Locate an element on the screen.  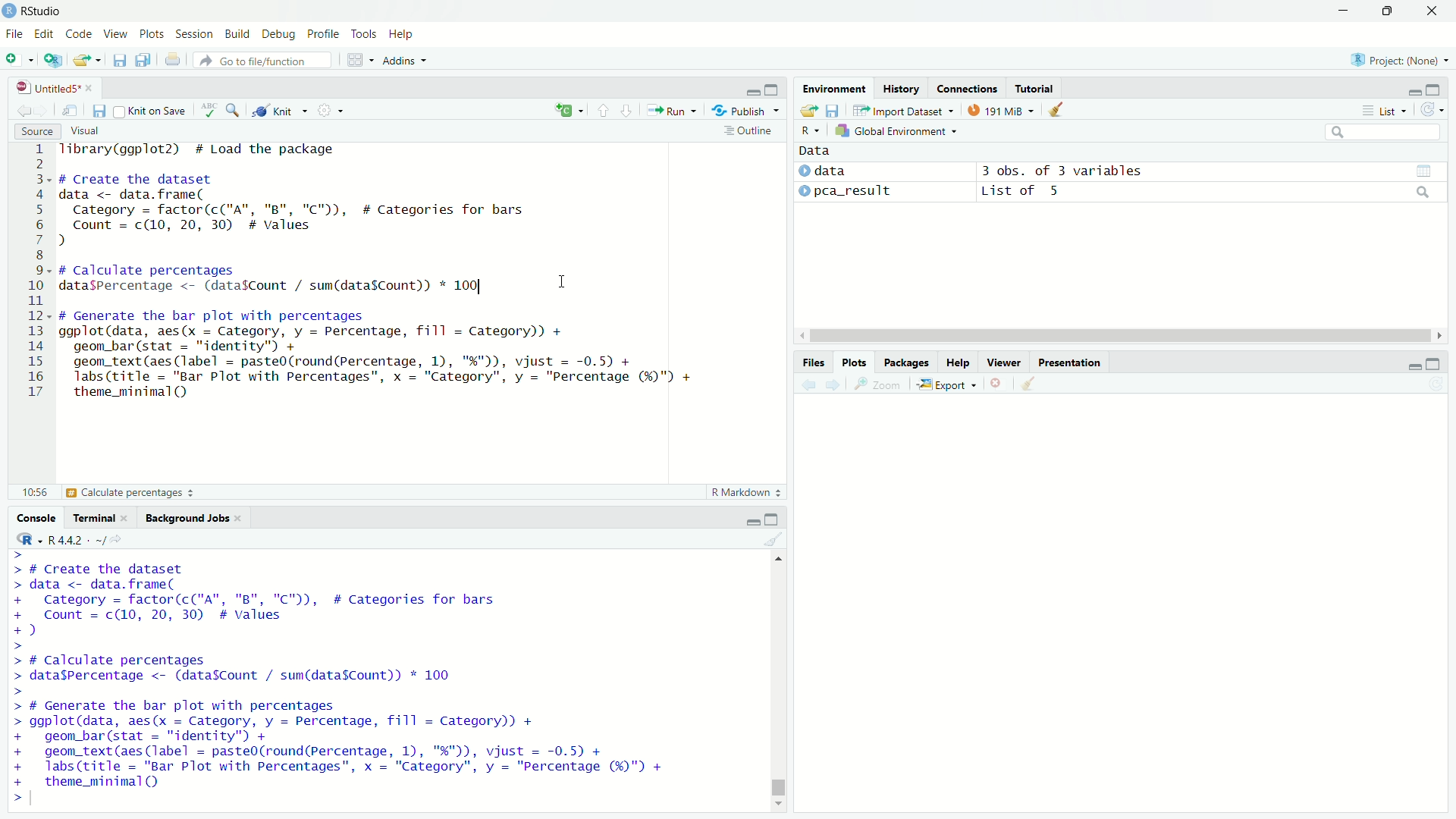
maximize is located at coordinates (1389, 12).